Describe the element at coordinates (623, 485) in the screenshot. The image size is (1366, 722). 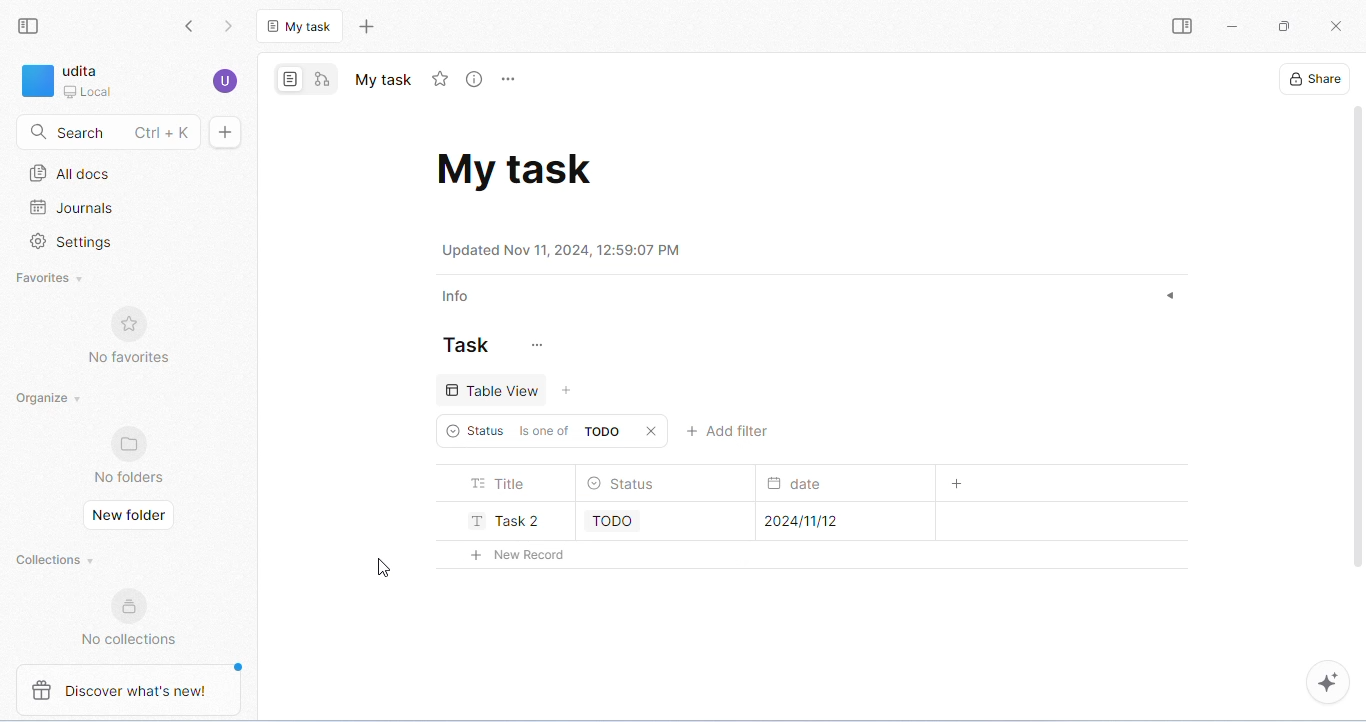
I see `status` at that location.